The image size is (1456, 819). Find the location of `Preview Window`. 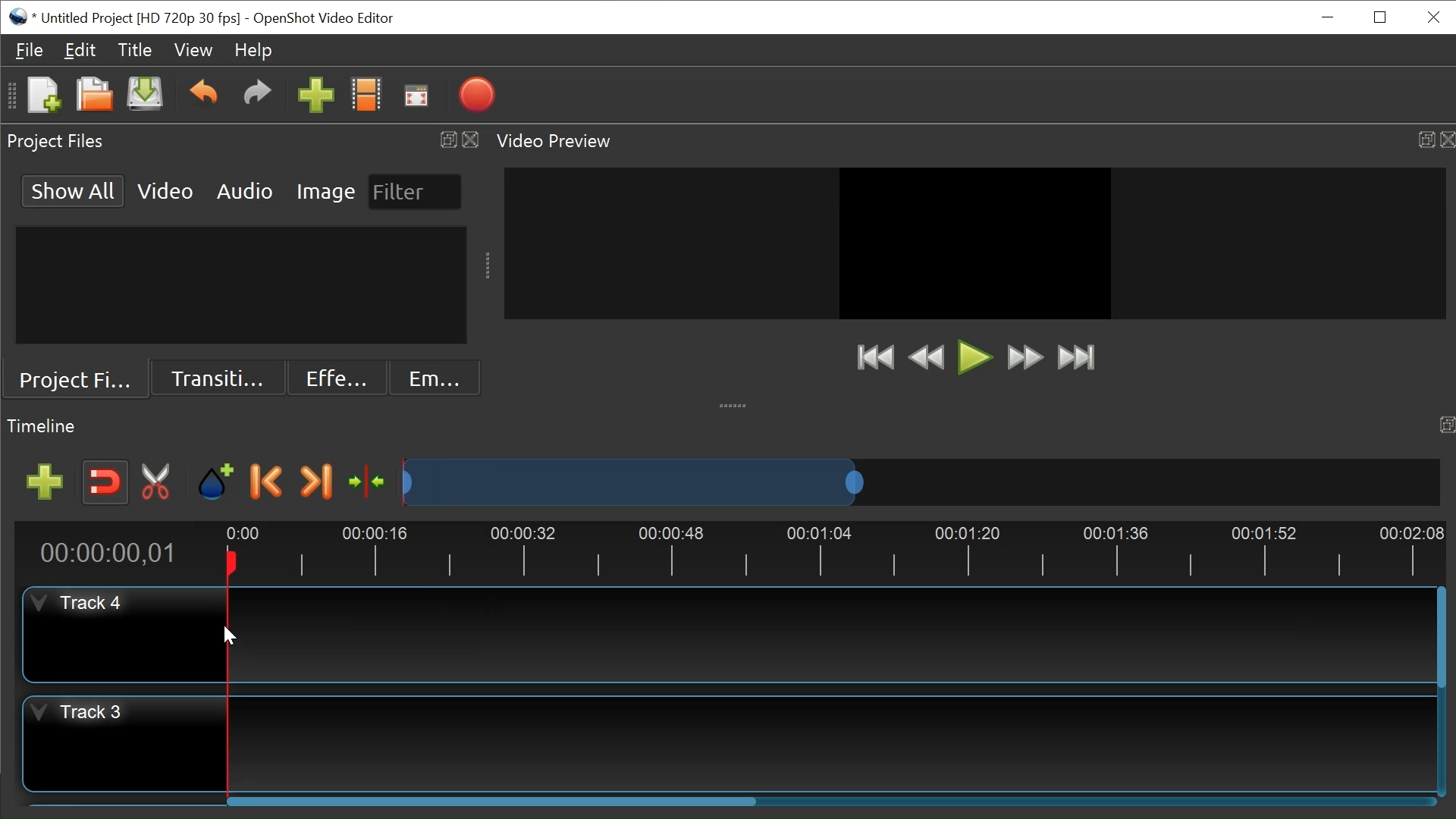

Preview Window is located at coordinates (976, 243).